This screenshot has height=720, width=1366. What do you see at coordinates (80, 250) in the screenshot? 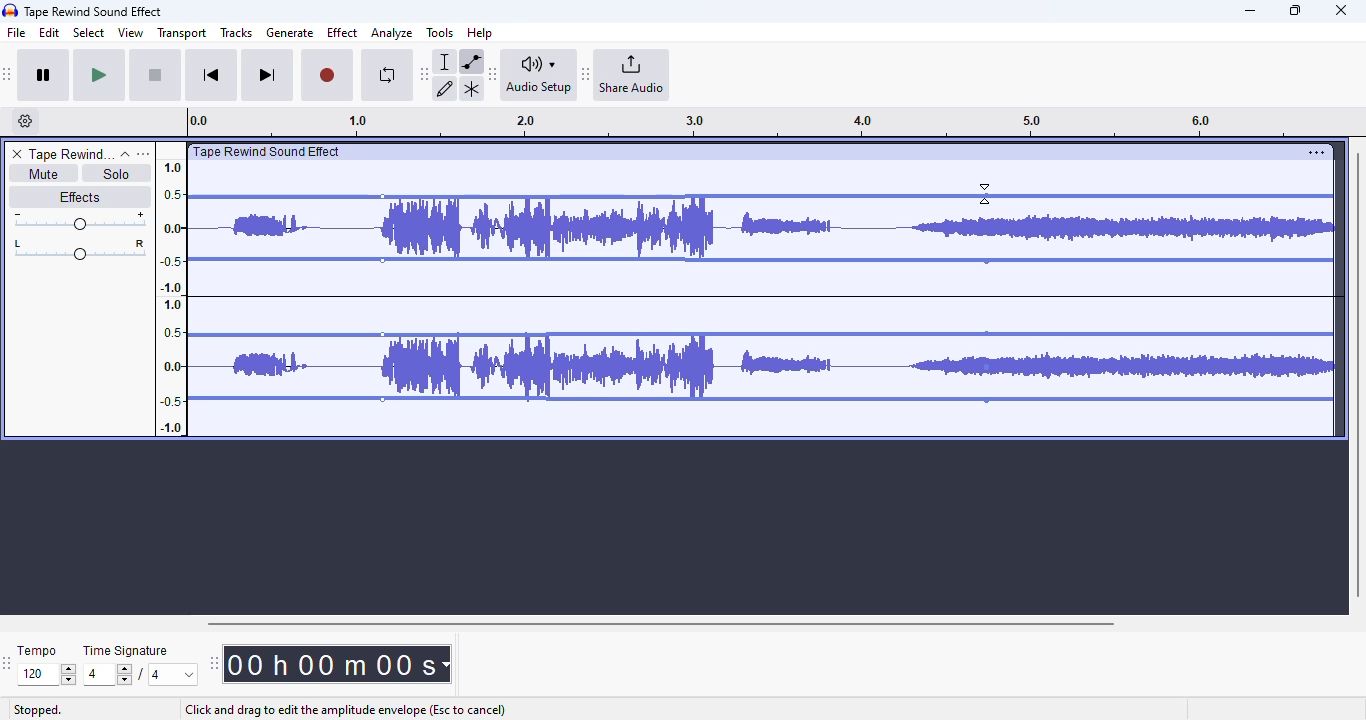
I see `Pan left/right` at bounding box center [80, 250].